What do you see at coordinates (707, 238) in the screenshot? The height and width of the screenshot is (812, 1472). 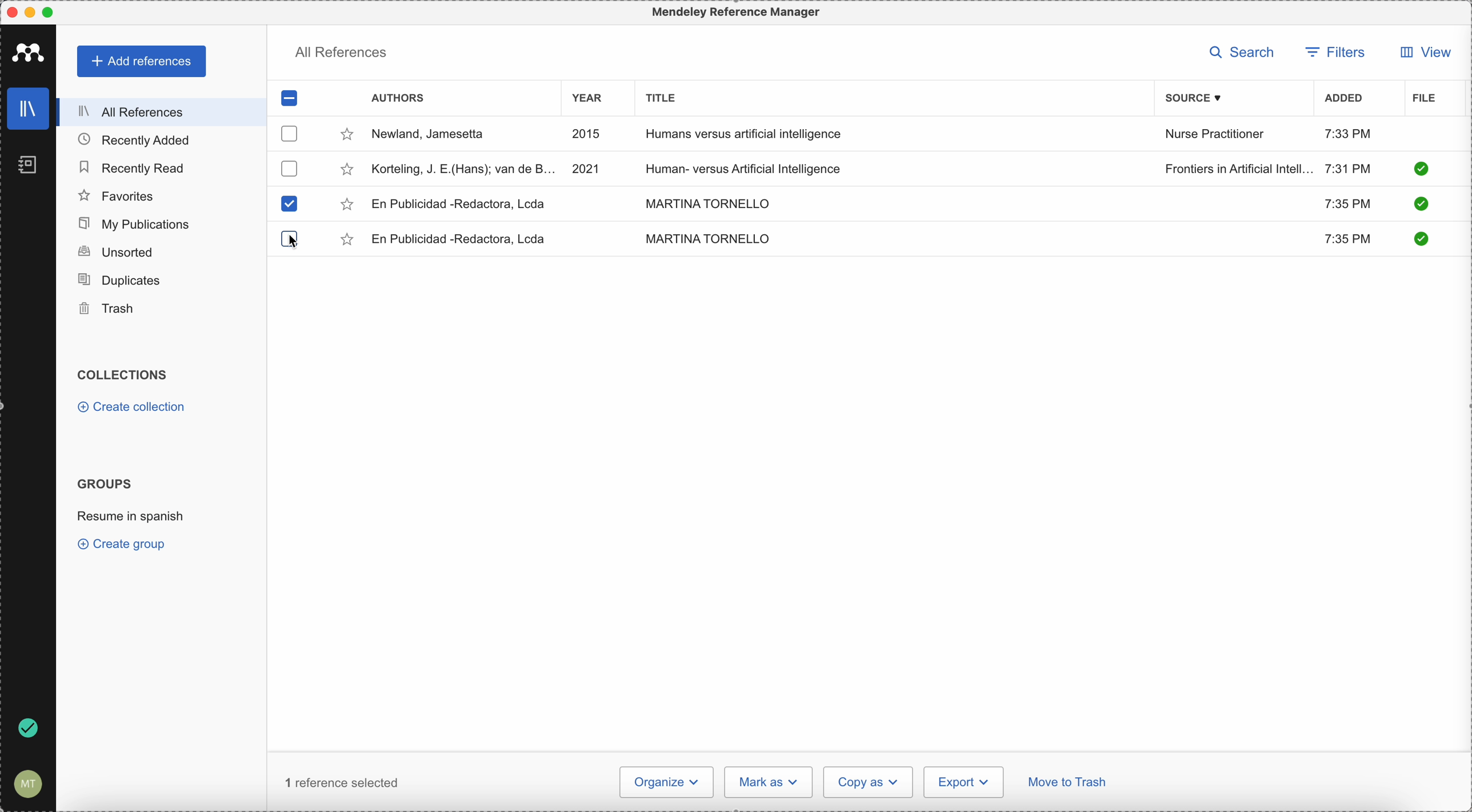 I see `MARTINA TORNELLO` at bounding box center [707, 238].